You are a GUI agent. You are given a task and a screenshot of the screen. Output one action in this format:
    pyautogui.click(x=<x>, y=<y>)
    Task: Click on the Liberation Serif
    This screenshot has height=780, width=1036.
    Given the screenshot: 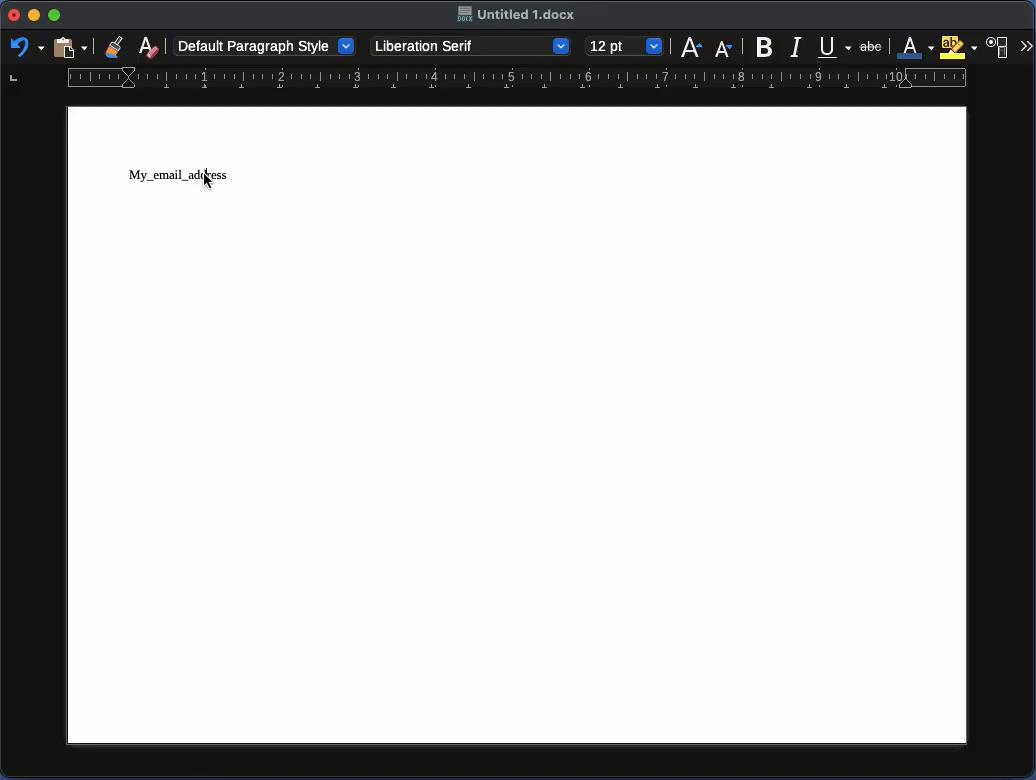 What is the action you would take?
    pyautogui.click(x=472, y=46)
    